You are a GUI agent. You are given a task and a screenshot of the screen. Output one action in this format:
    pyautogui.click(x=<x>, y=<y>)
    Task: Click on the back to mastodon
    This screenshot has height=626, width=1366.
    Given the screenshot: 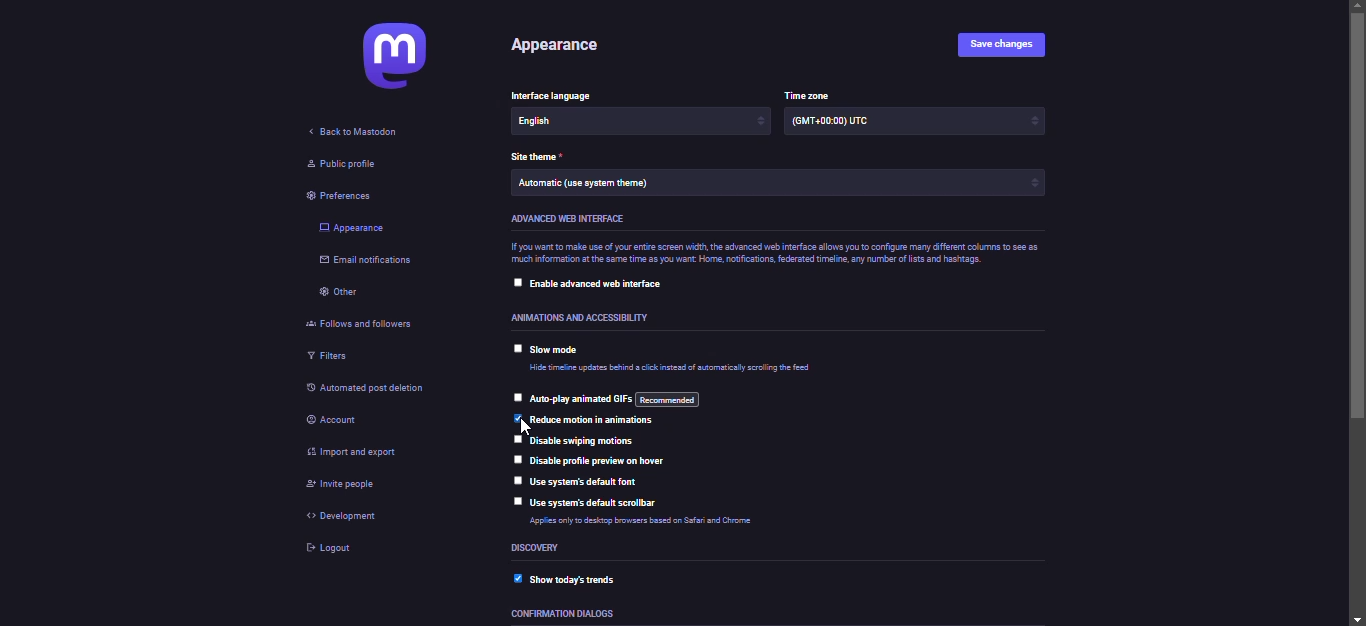 What is the action you would take?
    pyautogui.click(x=355, y=132)
    